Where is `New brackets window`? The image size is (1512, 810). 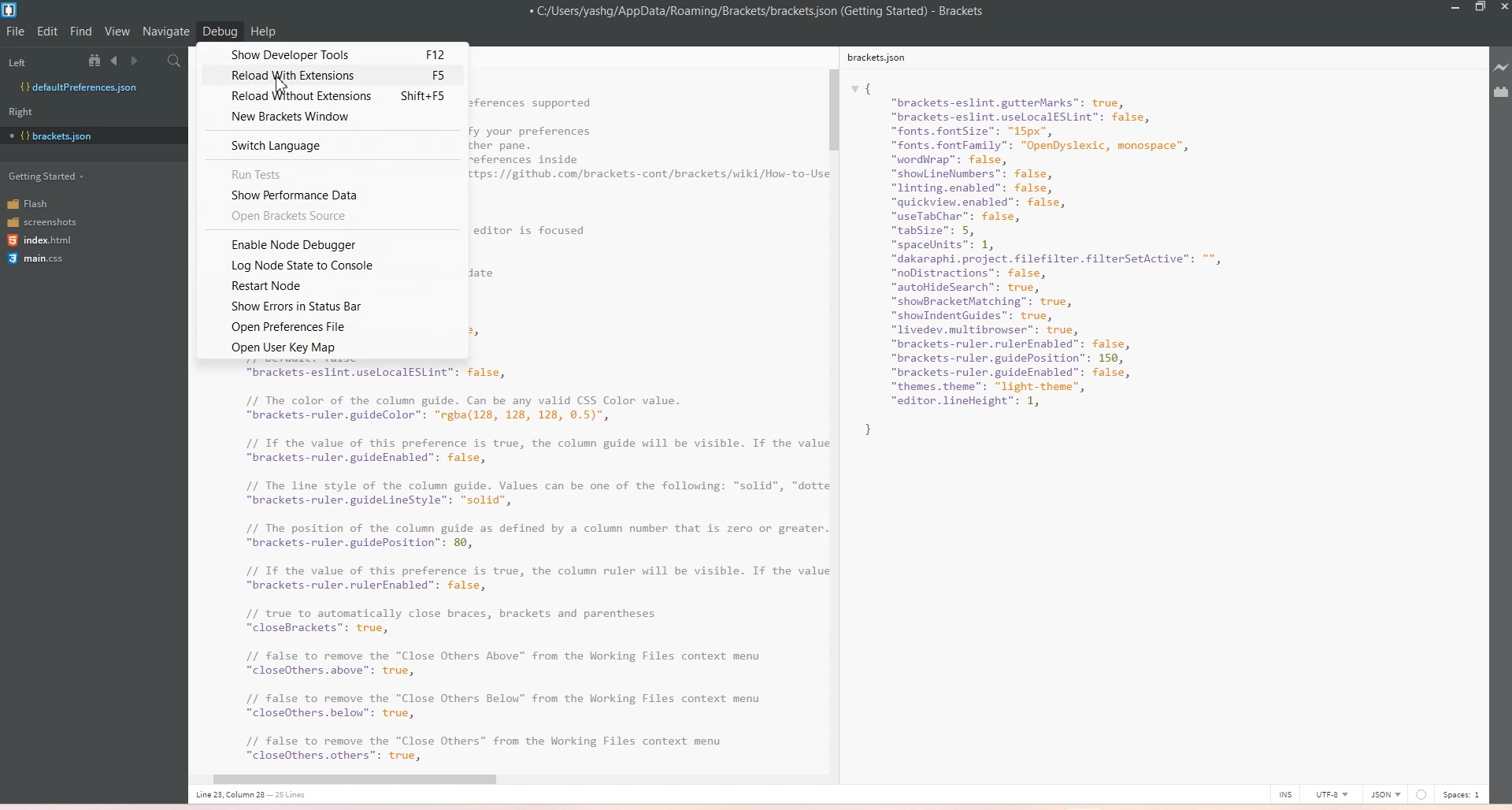
New brackets window is located at coordinates (333, 117).